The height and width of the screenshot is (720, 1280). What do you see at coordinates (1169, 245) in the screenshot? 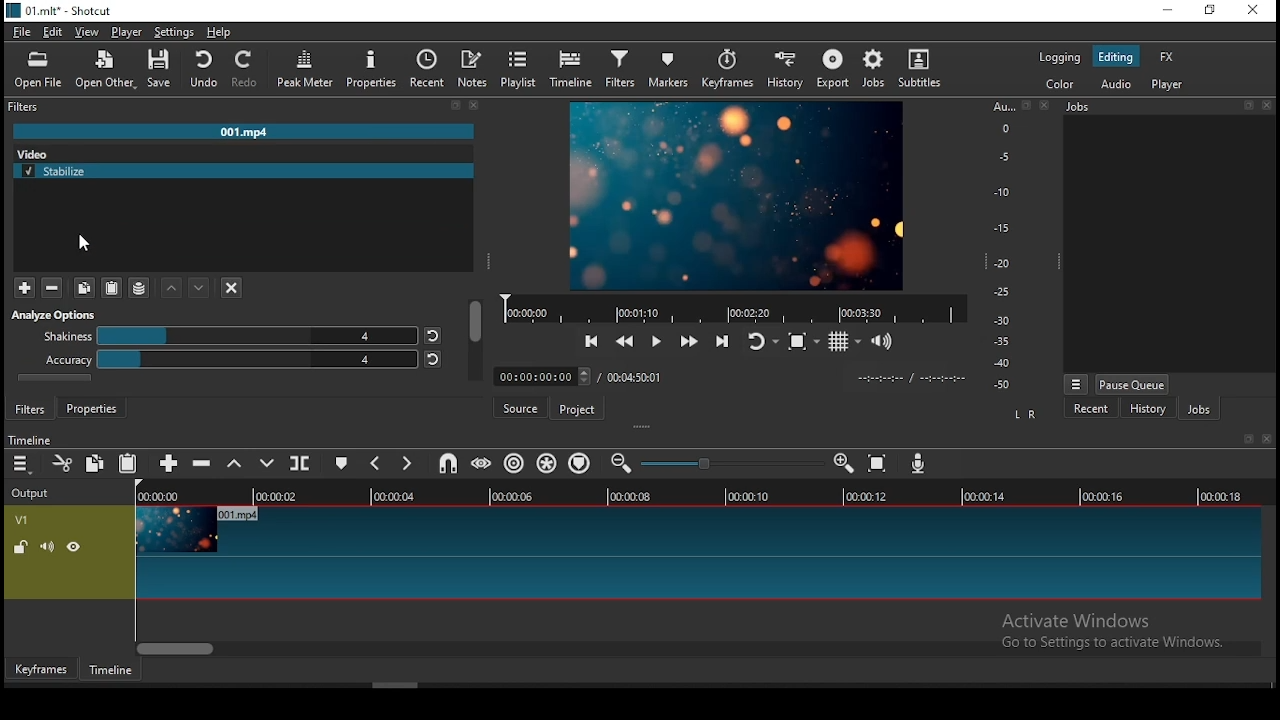
I see `display` at bounding box center [1169, 245].